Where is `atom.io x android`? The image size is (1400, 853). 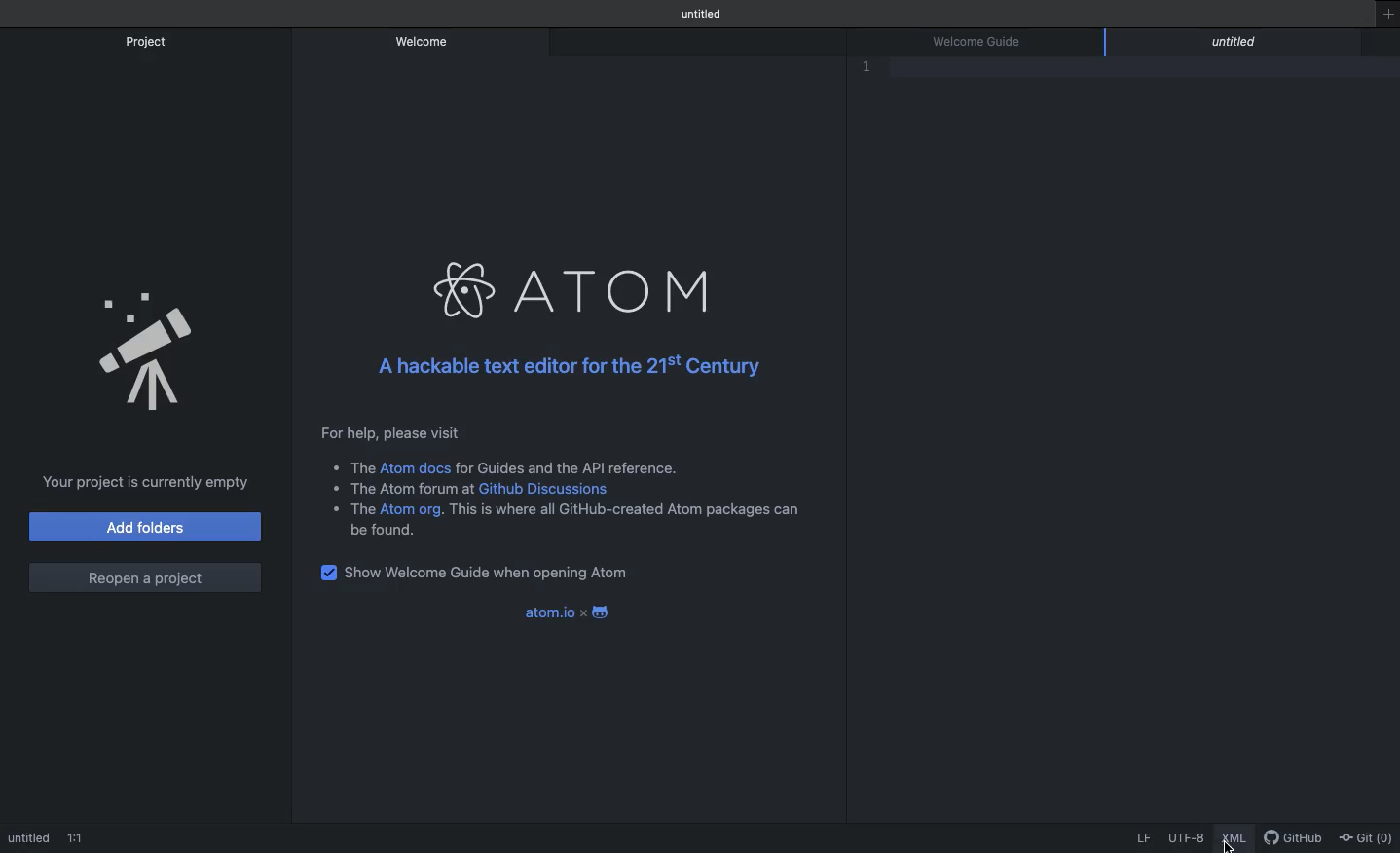 atom.io x android is located at coordinates (568, 612).